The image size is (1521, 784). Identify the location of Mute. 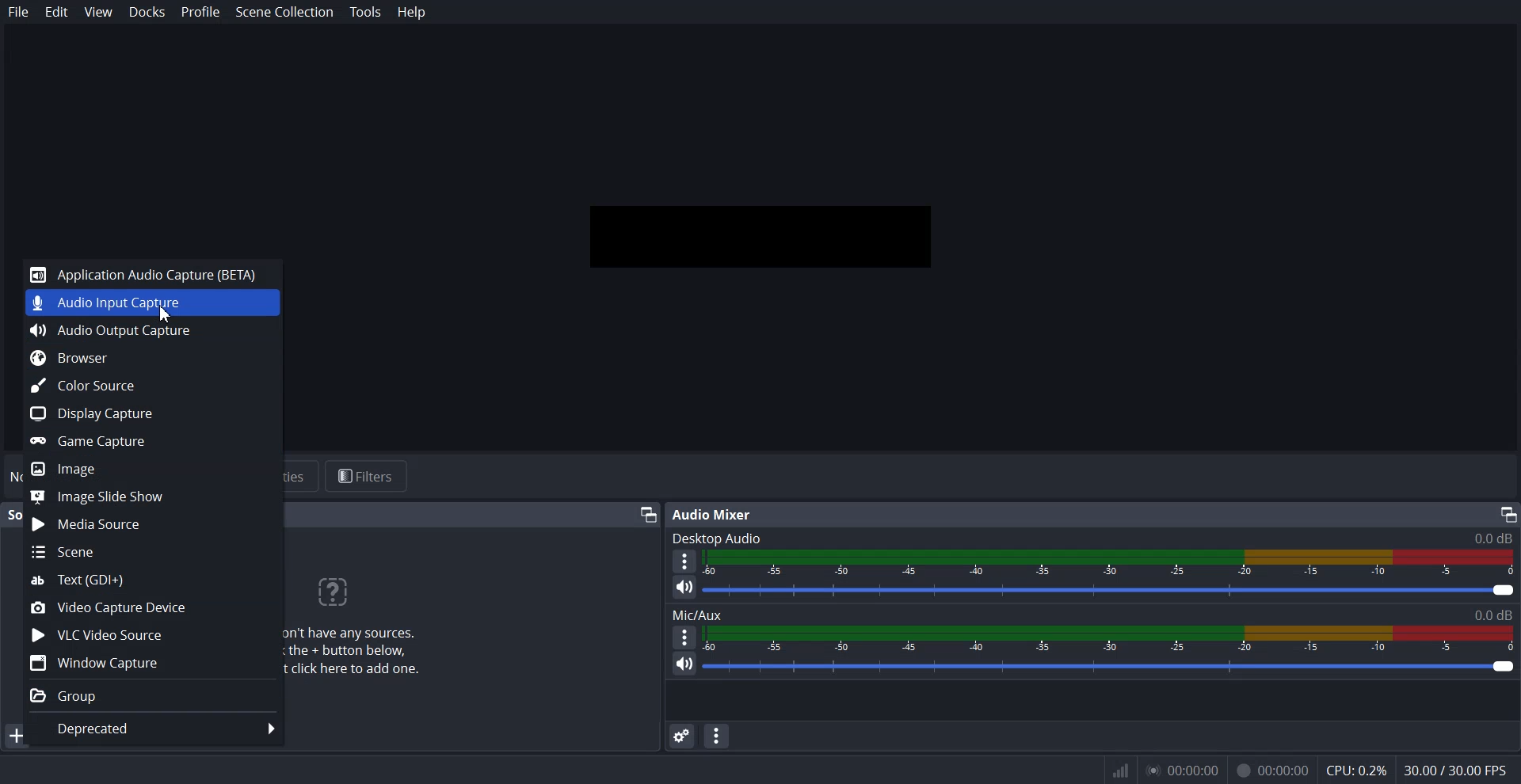
(684, 587).